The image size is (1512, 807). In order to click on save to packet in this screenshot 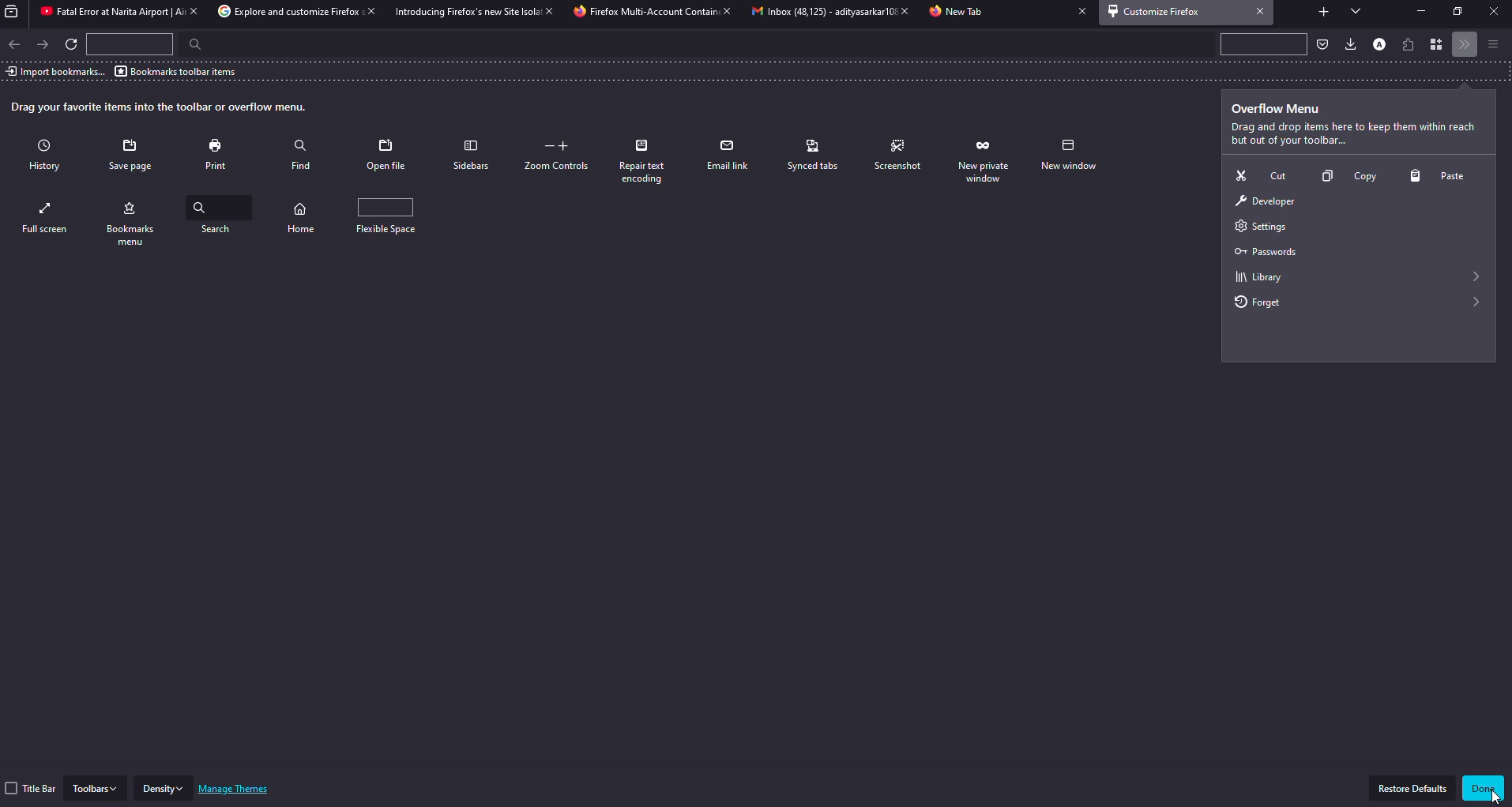, I will do `click(1322, 43)`.